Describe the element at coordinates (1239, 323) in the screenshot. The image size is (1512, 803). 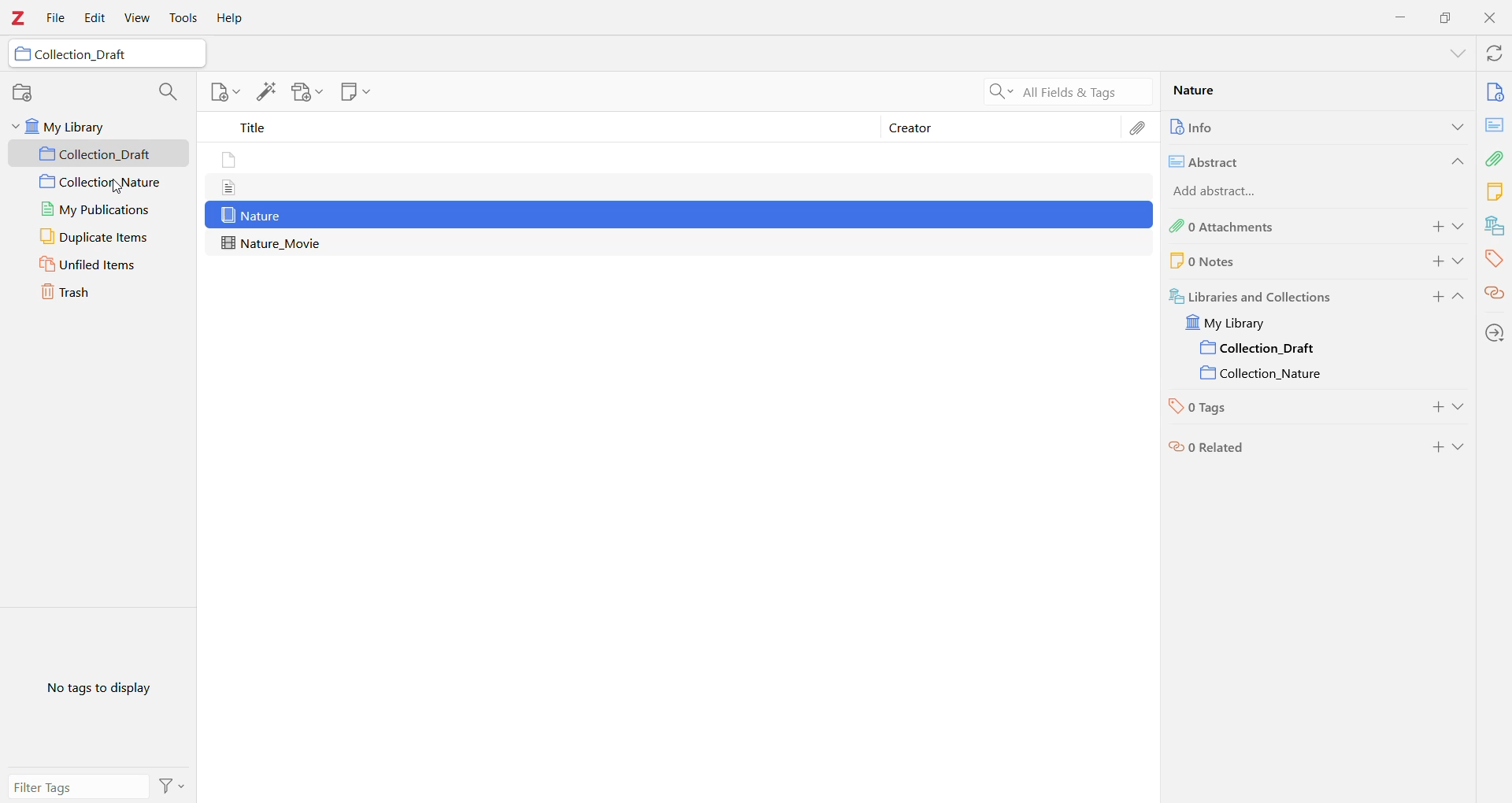
I see `Current Library` at that location.